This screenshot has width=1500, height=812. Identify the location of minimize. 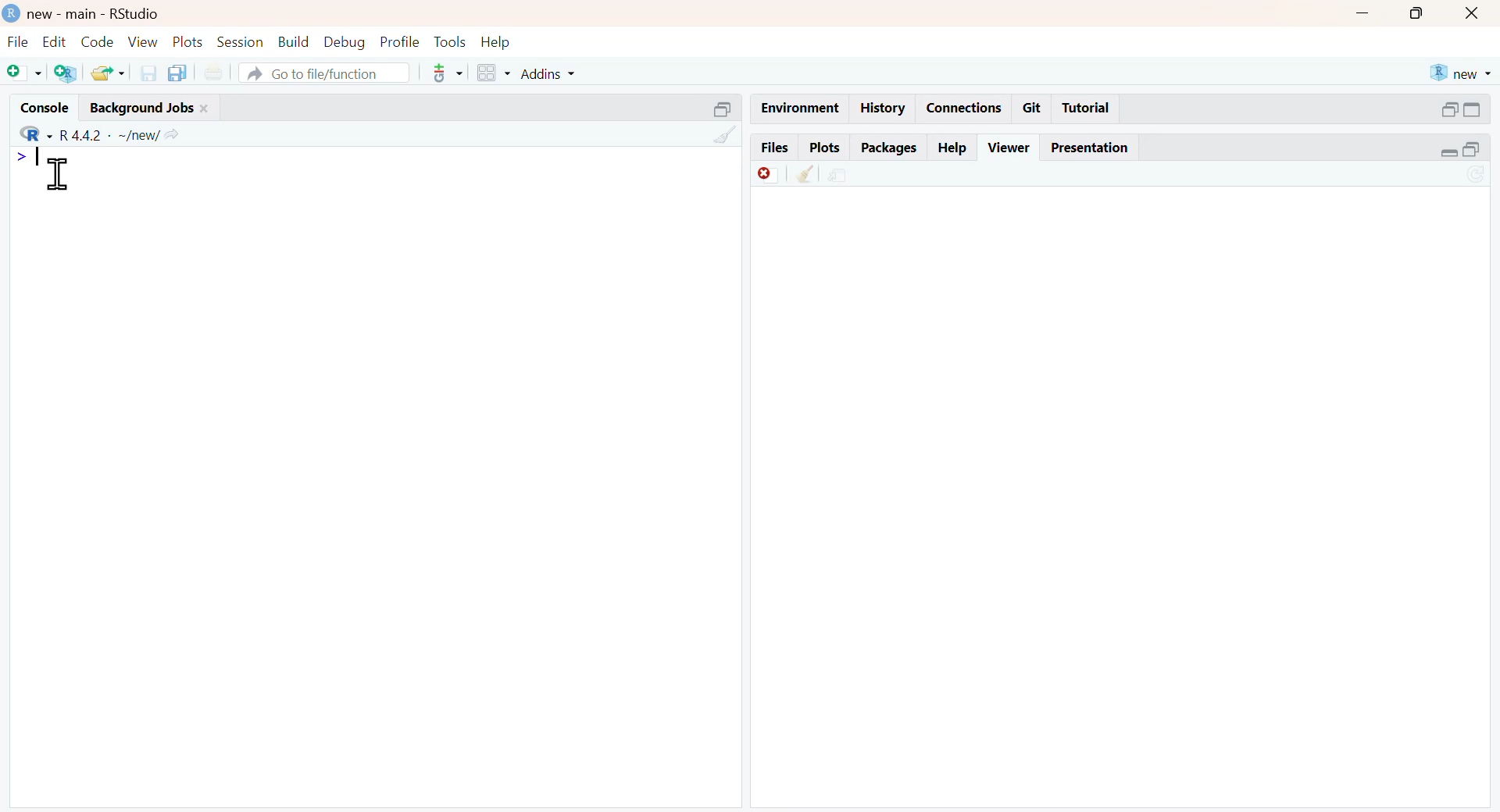
(1364, 12).